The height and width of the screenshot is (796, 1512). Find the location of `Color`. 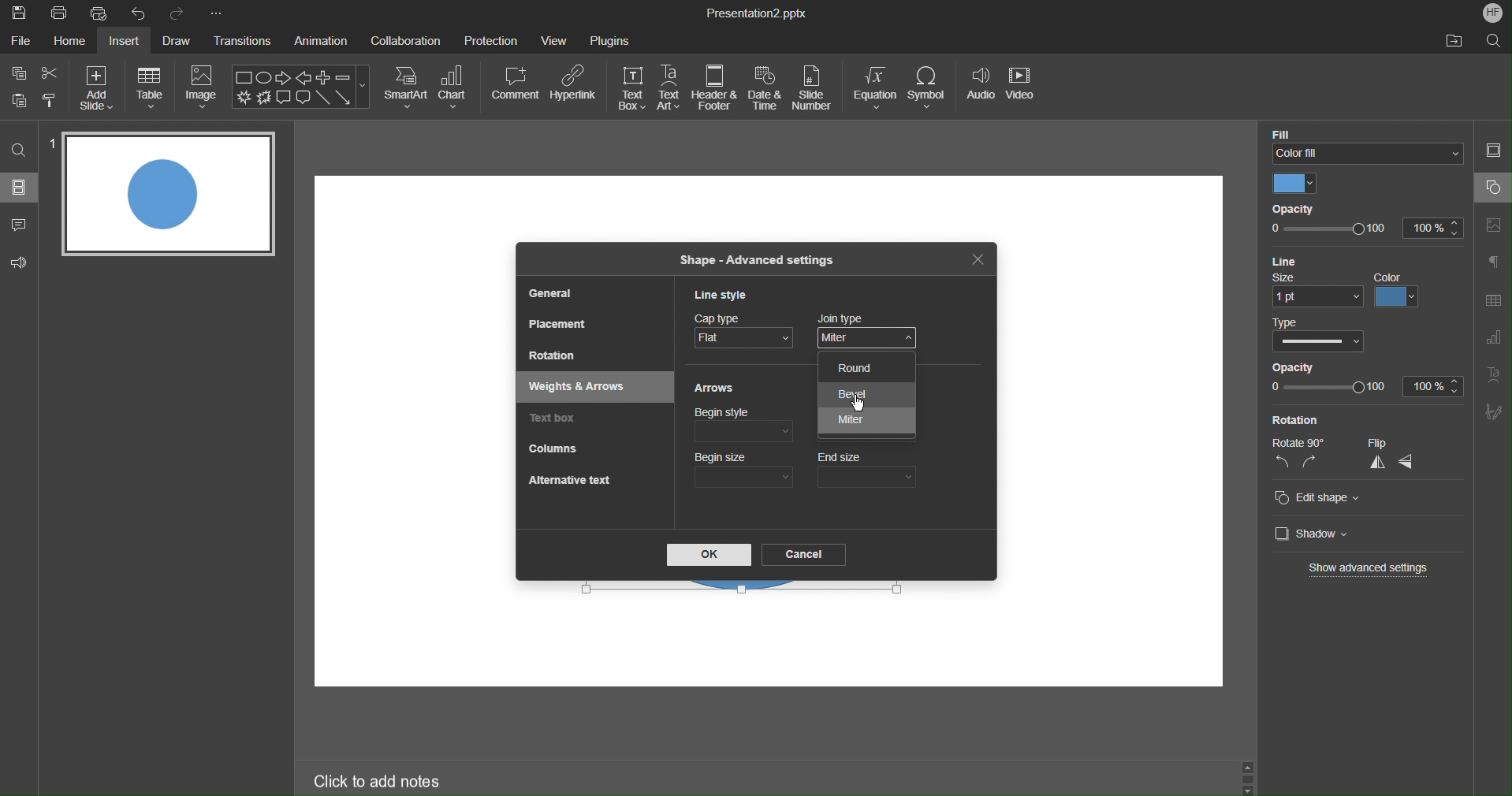

Color is located at coordinates (1294, 184).